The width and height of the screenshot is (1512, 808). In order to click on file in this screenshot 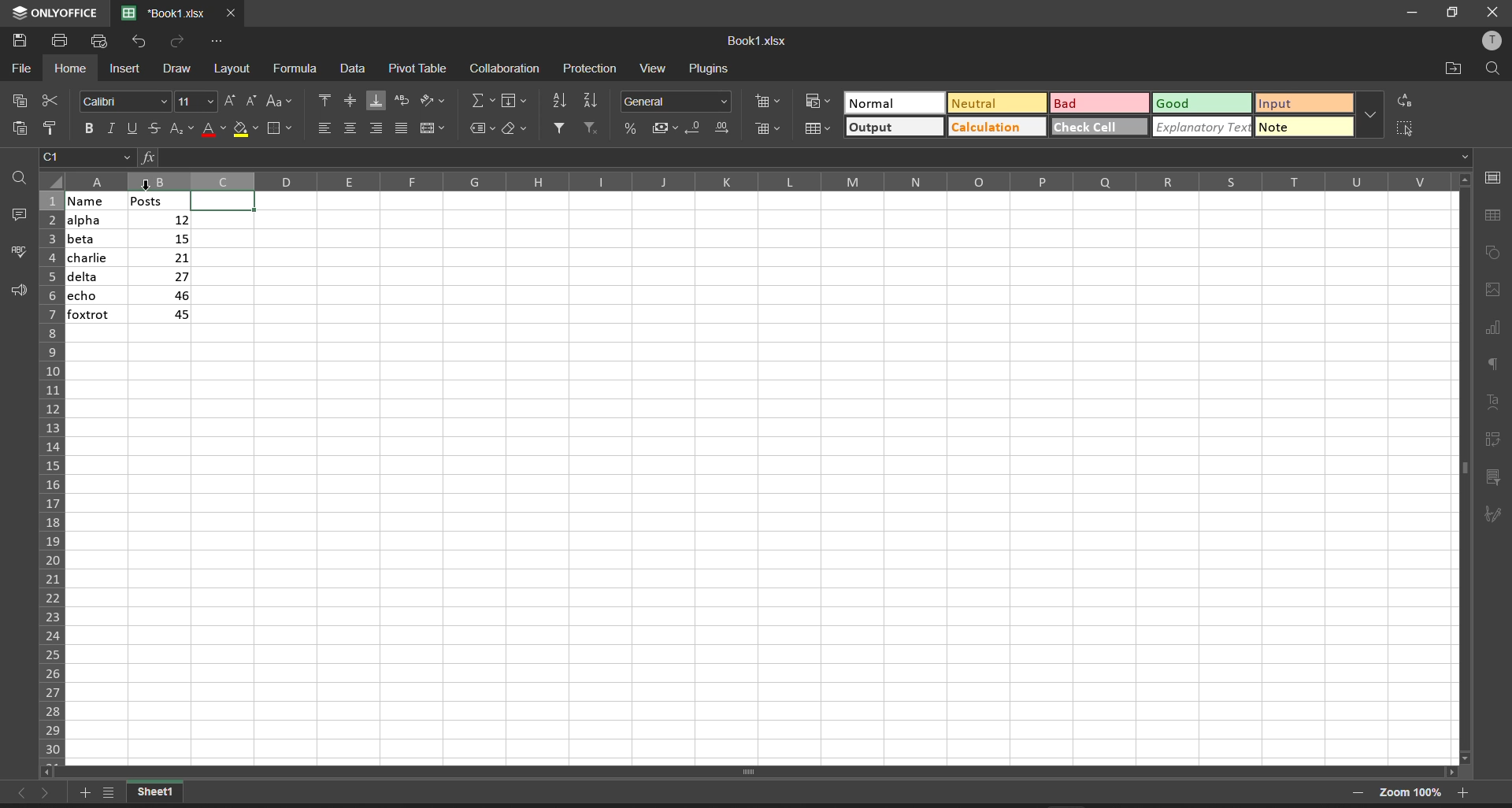, I will do `click(22, 69)`.